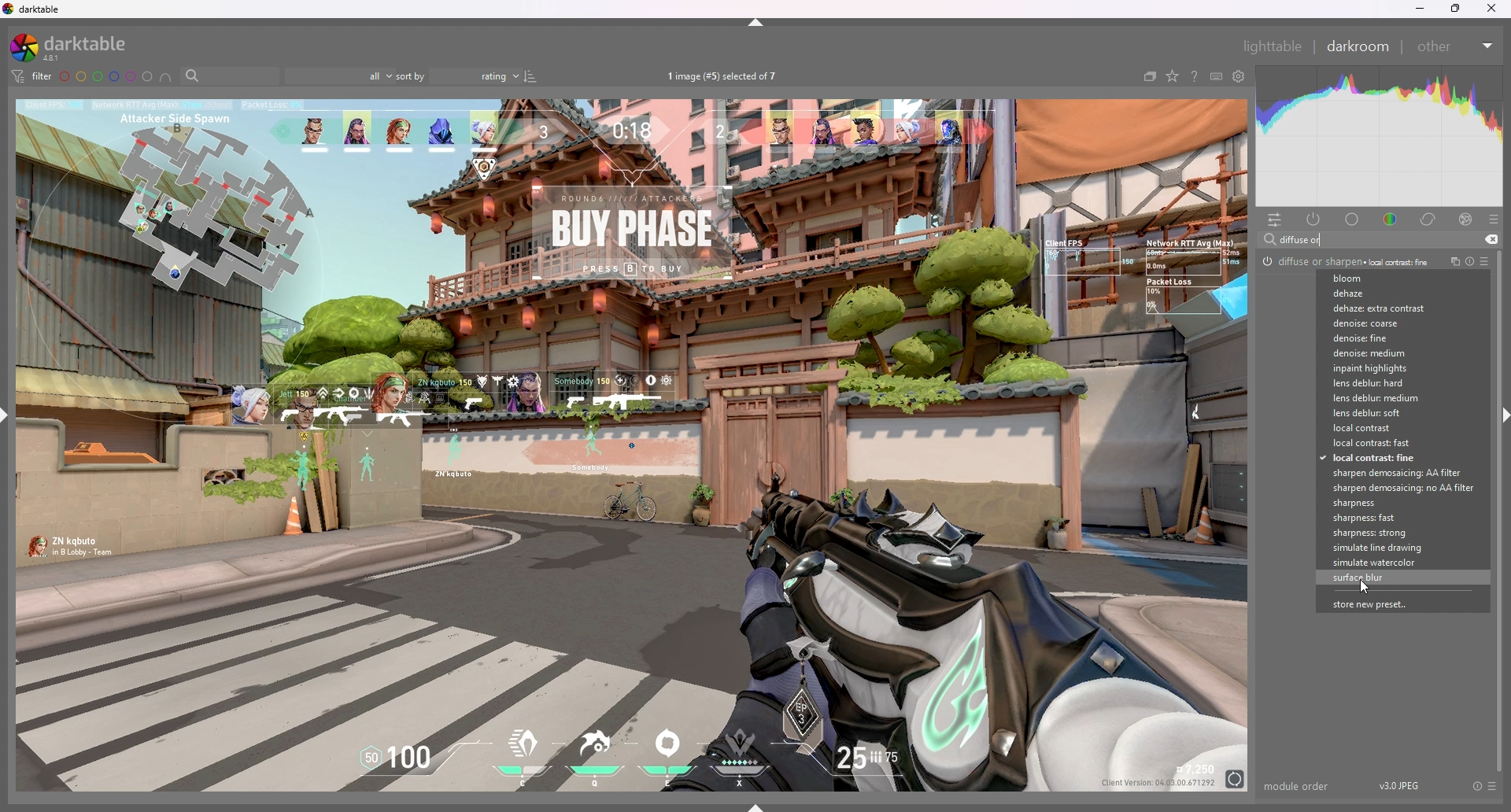 The width and height of the screenshot is (1511, 812). What do you see at coordinates (530, 76) in the screenshot?
I see `reverse sort order` at bounding box center [530, 76].